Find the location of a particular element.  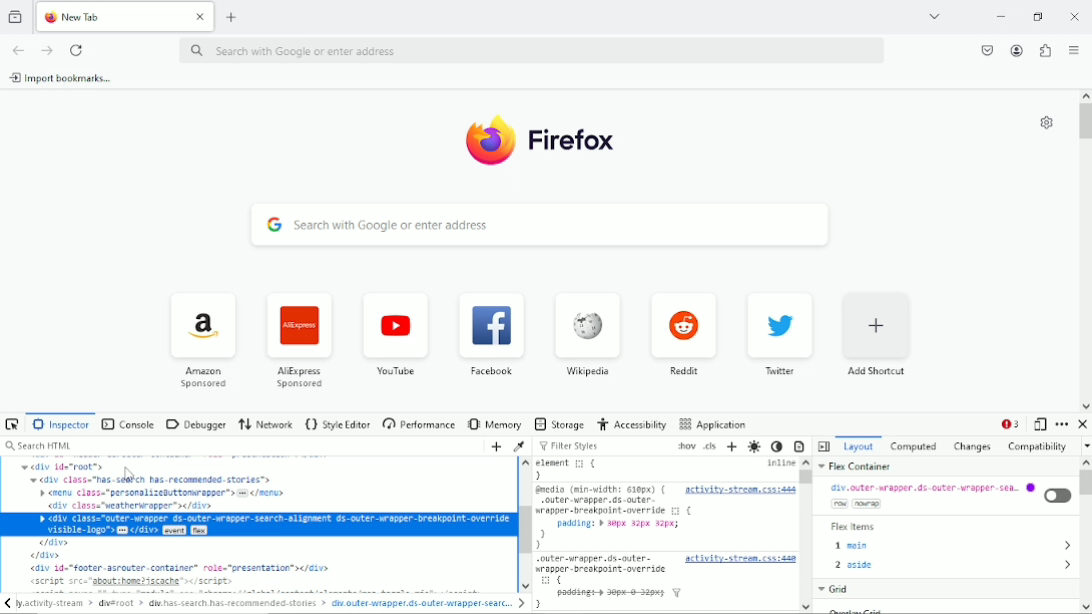

Reddit is located at coordinates (684, 333).